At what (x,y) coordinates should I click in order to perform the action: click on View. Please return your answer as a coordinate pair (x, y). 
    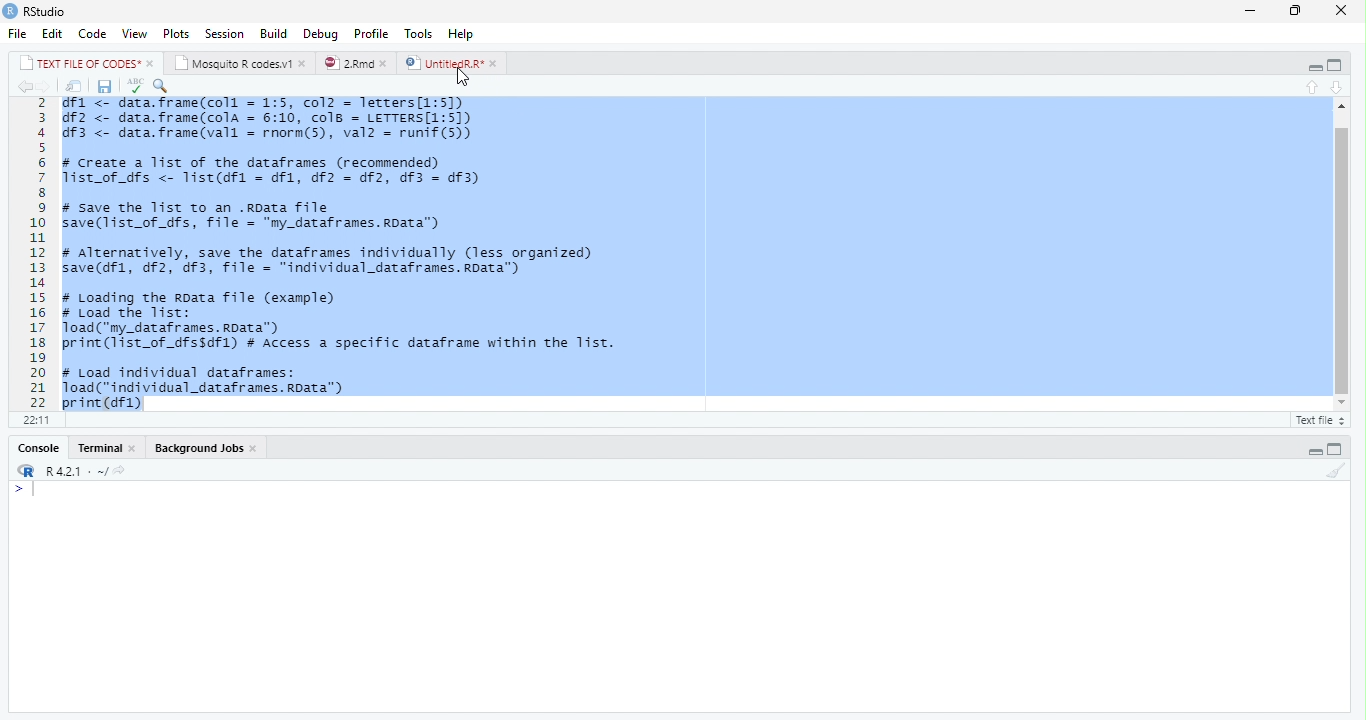
    Looking at the image, I should click on (135, 34).